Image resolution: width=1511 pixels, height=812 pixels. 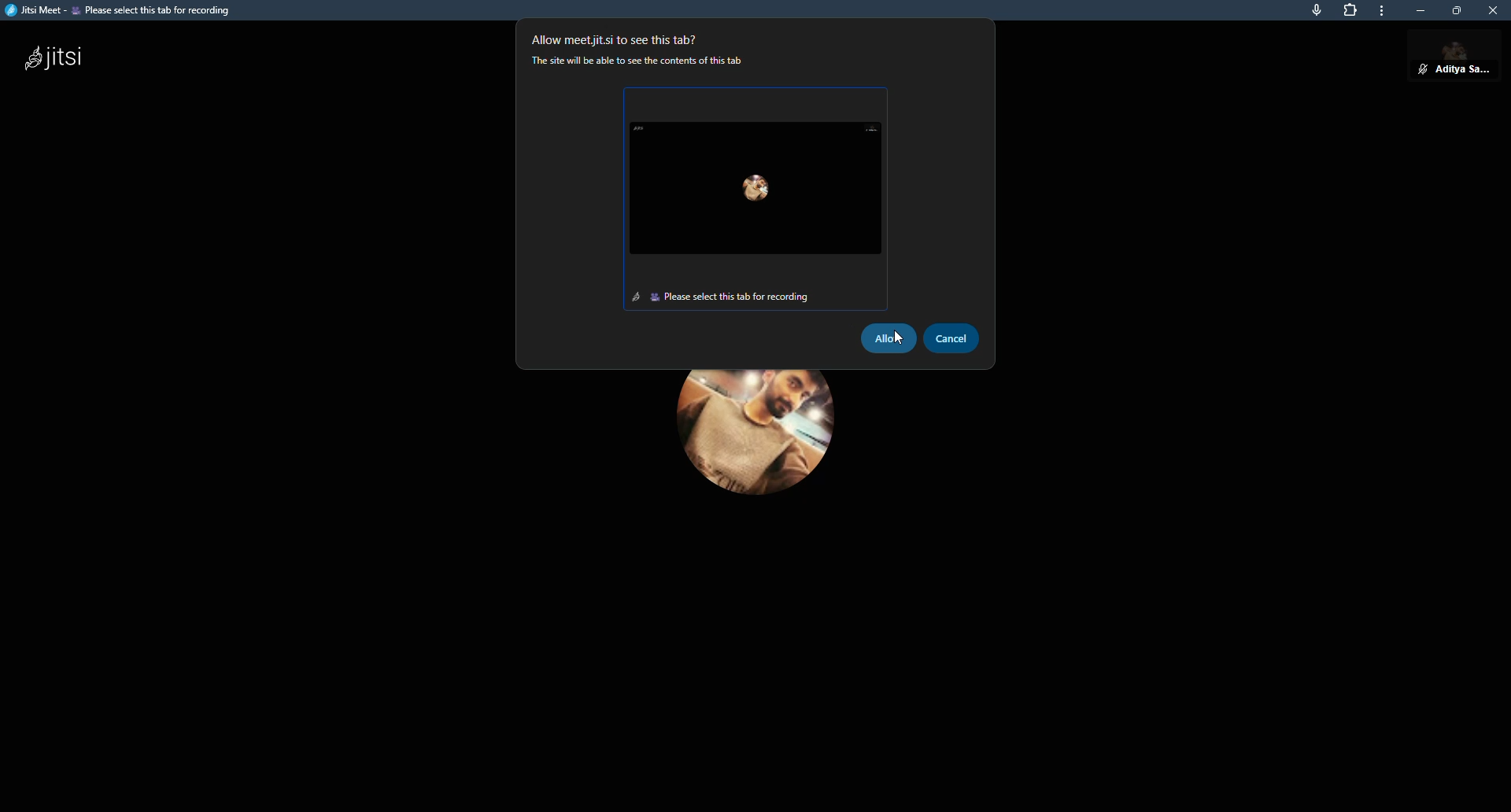 I want to click on close, so click(x=1492, y=10).